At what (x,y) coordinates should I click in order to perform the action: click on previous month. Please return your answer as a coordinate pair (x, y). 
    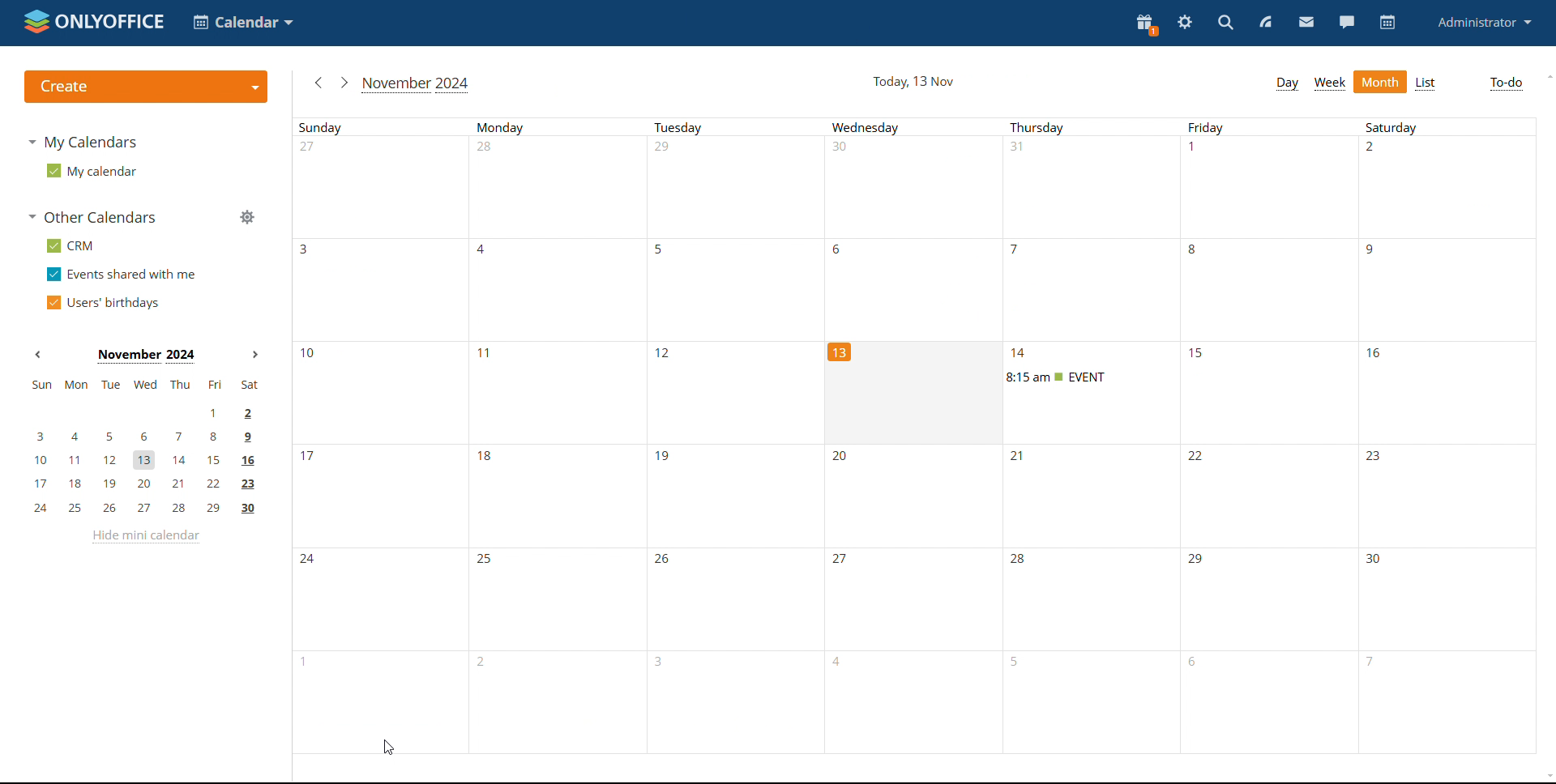
    Looking at the image, I should click on (38, 354).